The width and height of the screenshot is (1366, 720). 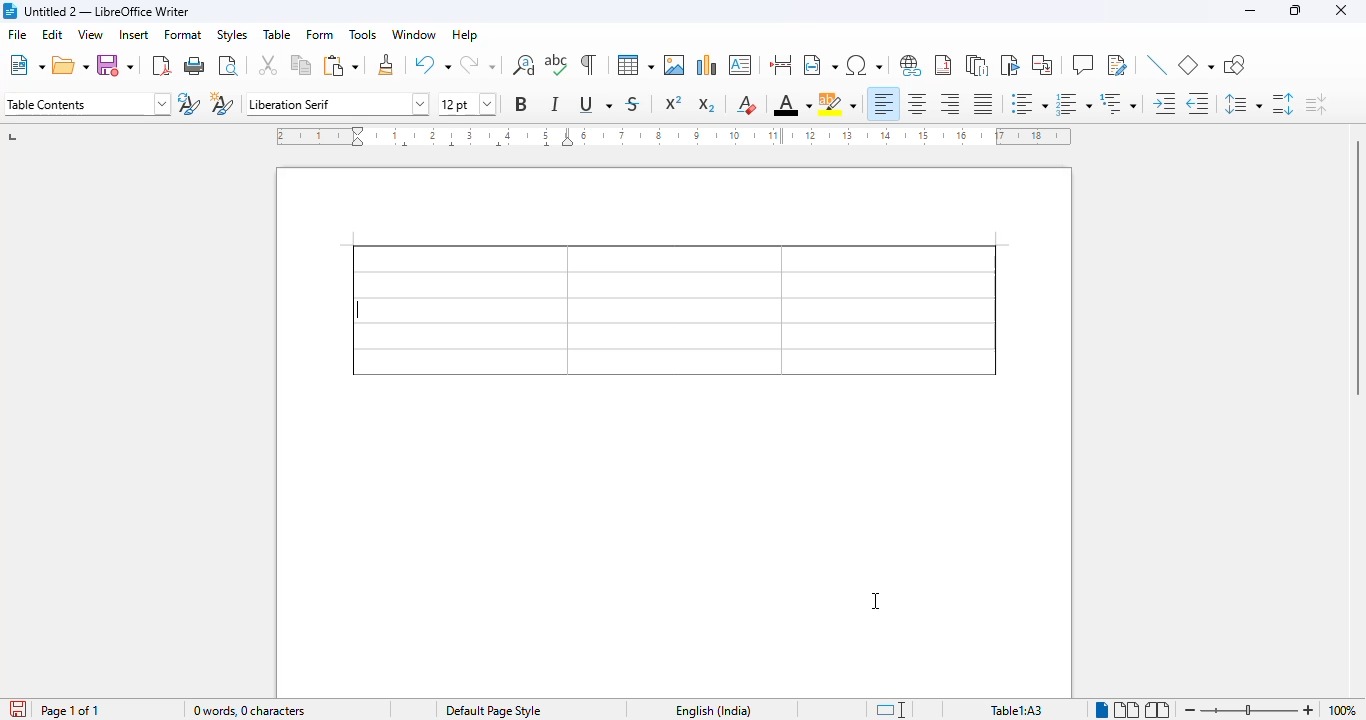 I want to click on toggle ordered list, so click(x=1072, y=103).